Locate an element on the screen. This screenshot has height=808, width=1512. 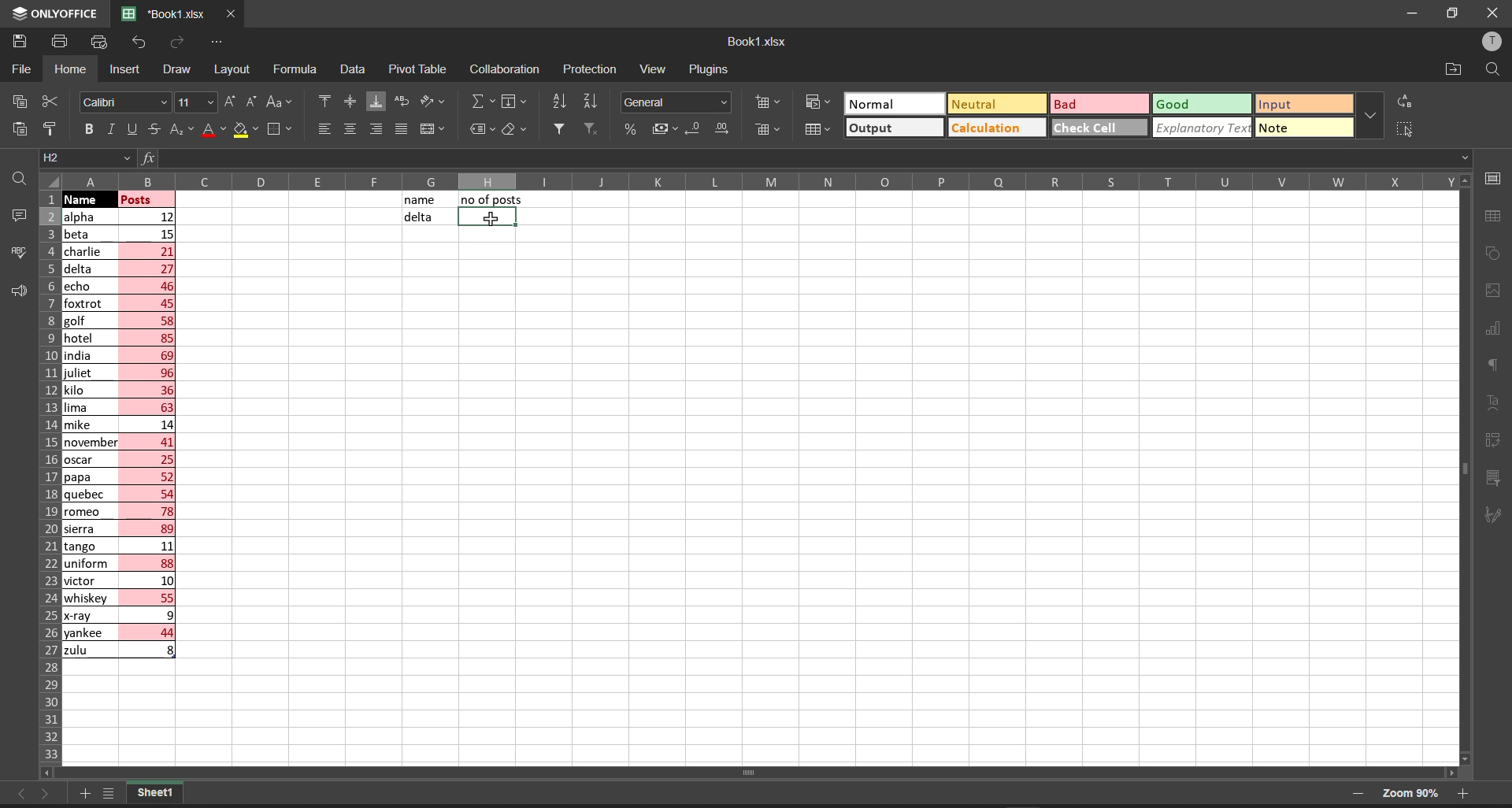
align center is located at coordinates (348, 130).